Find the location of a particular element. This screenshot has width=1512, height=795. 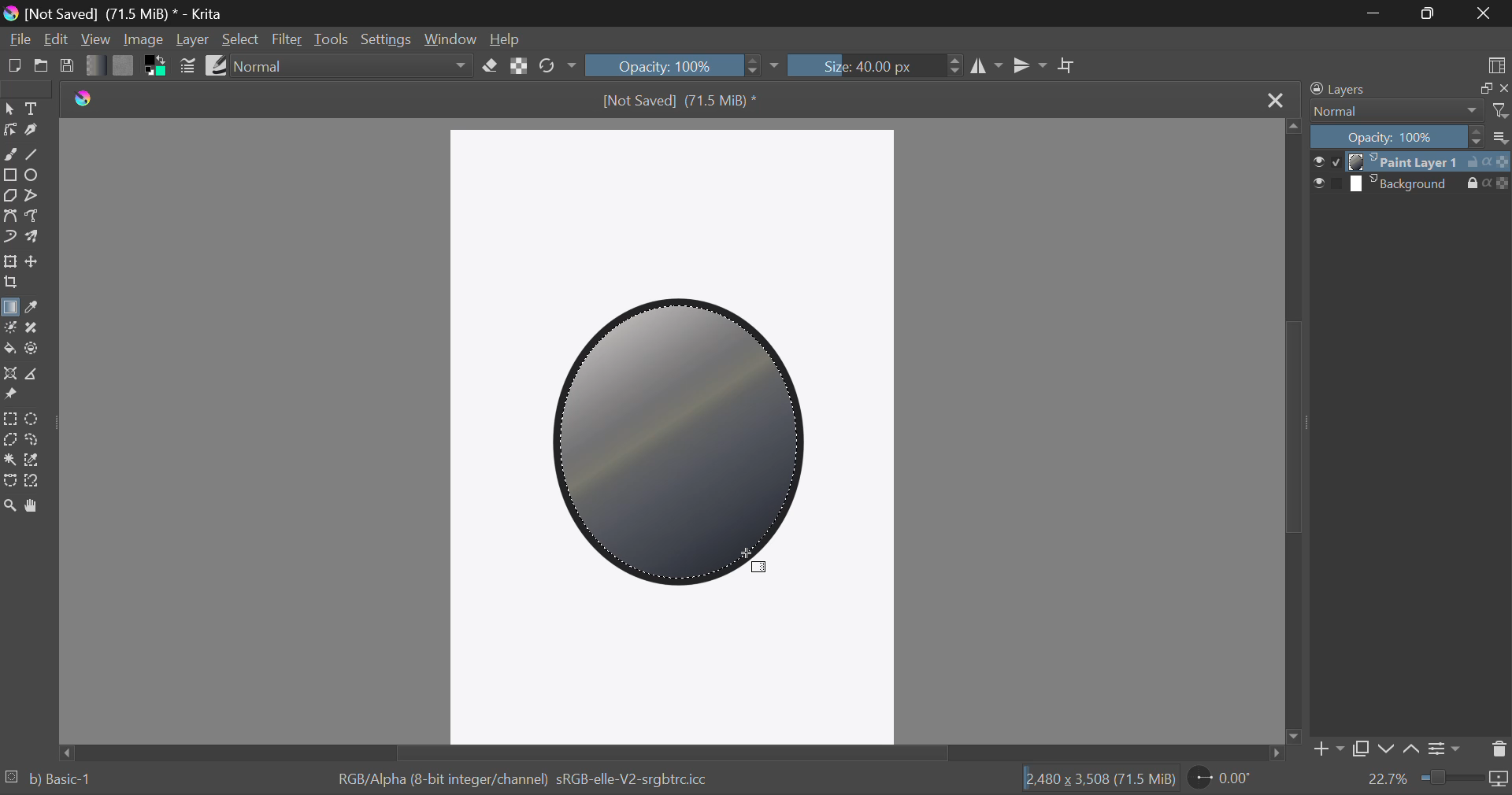

Close is located at coordinates (1488, 14).